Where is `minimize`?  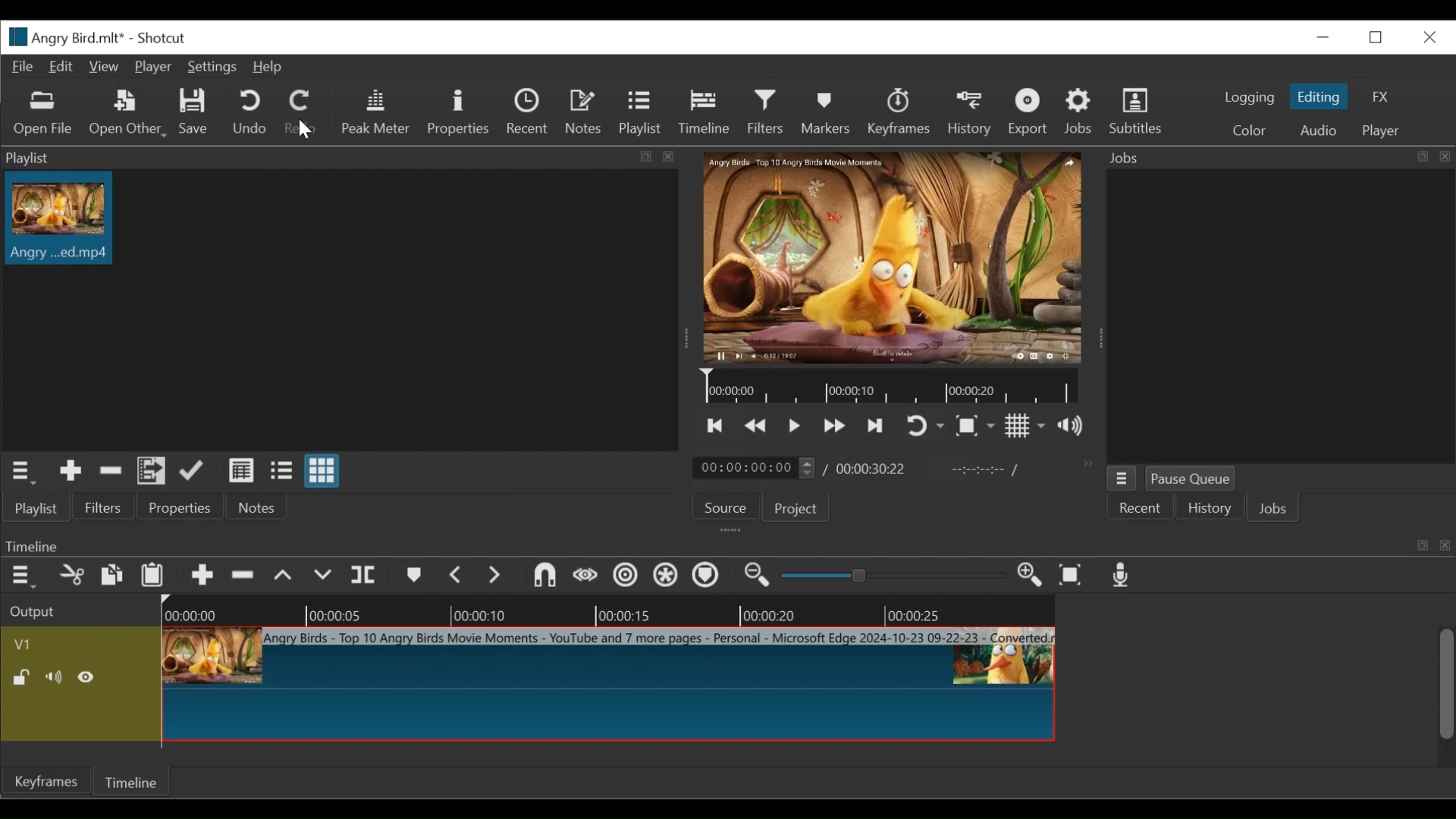 minimize is located at coordinates (1322, 37).